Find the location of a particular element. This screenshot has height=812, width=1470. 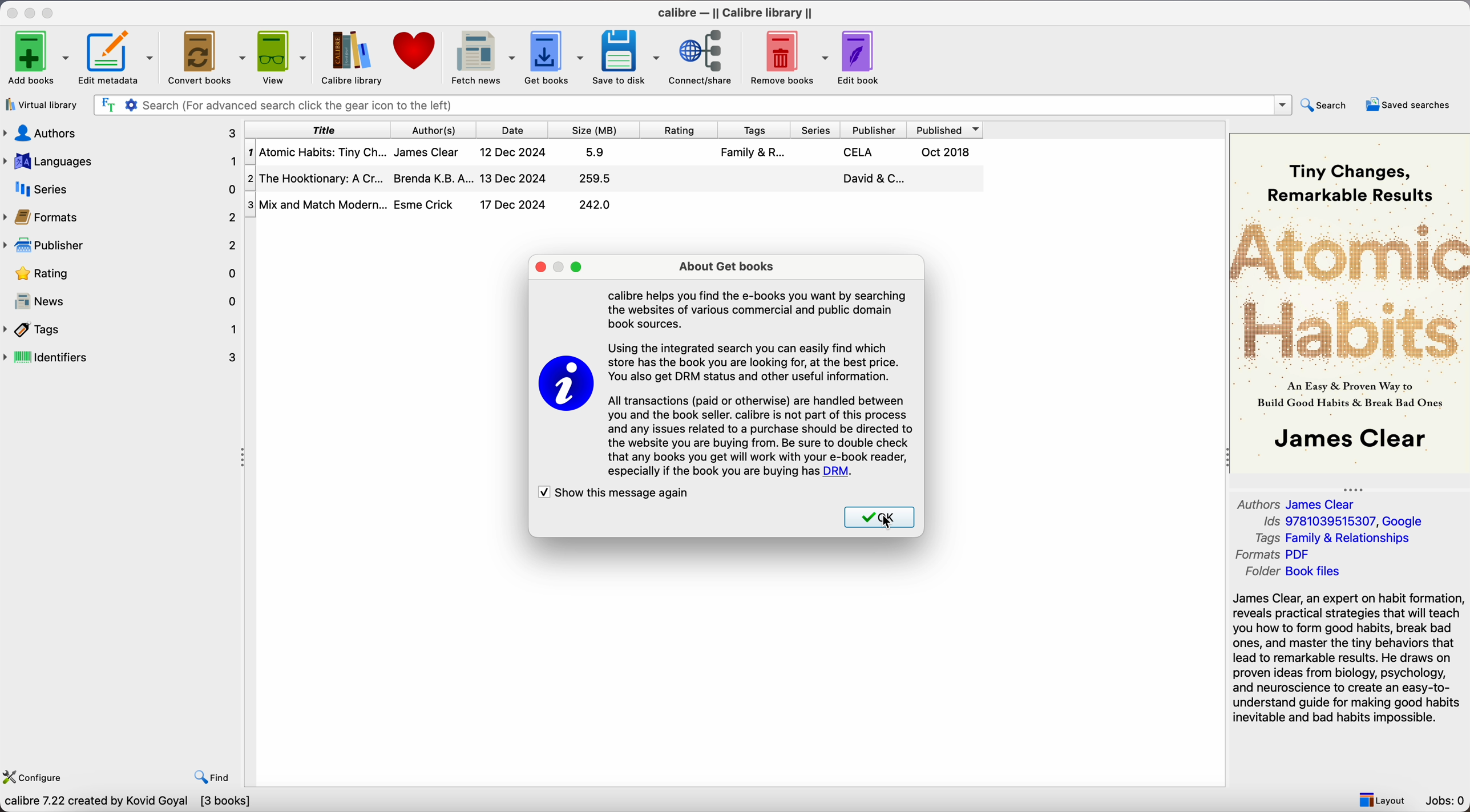

convert books is located at coordinates (205, 56).